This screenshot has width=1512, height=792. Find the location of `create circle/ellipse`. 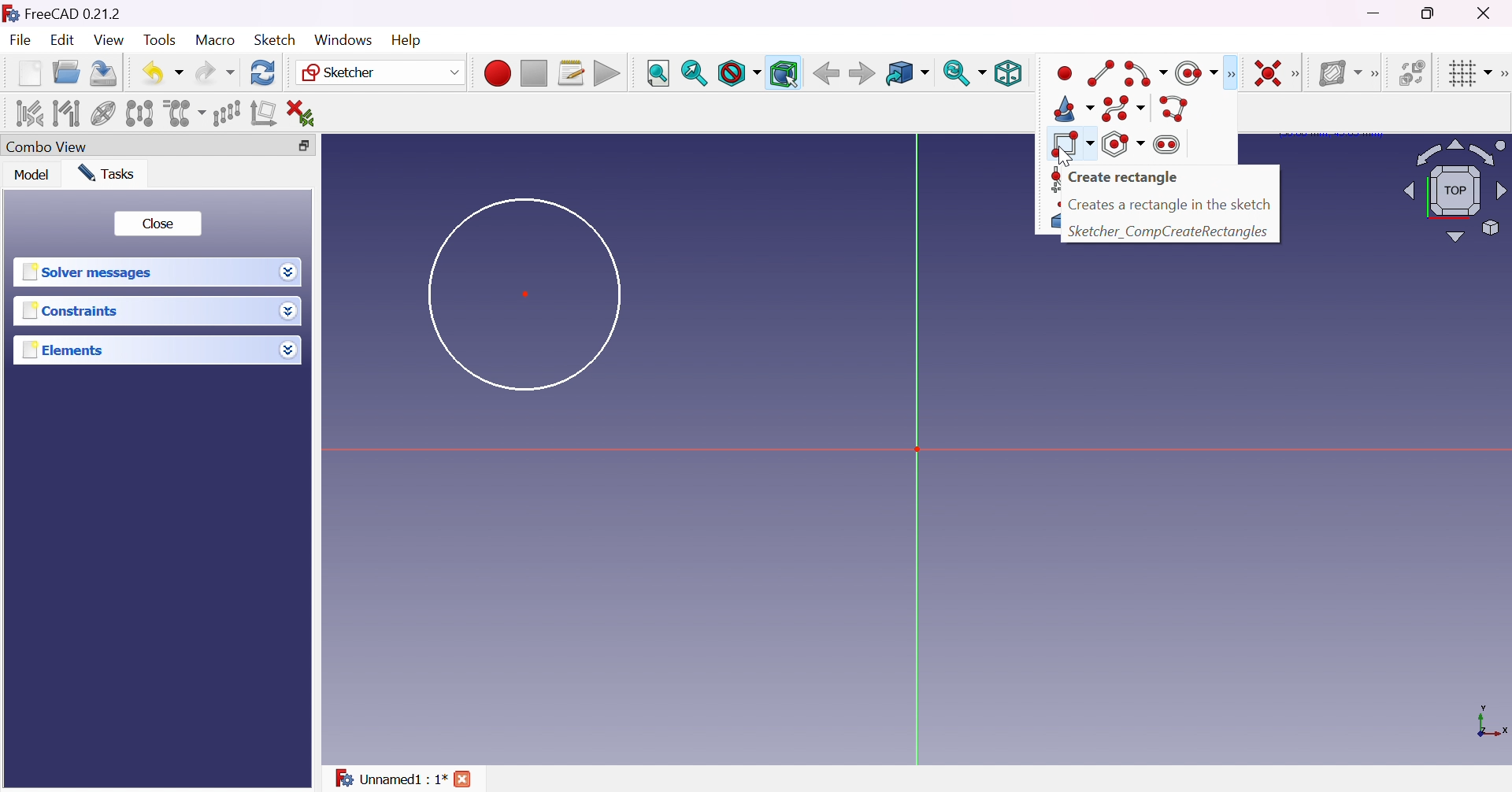

create circle/ellipse is located at coordinates (1198, 75).